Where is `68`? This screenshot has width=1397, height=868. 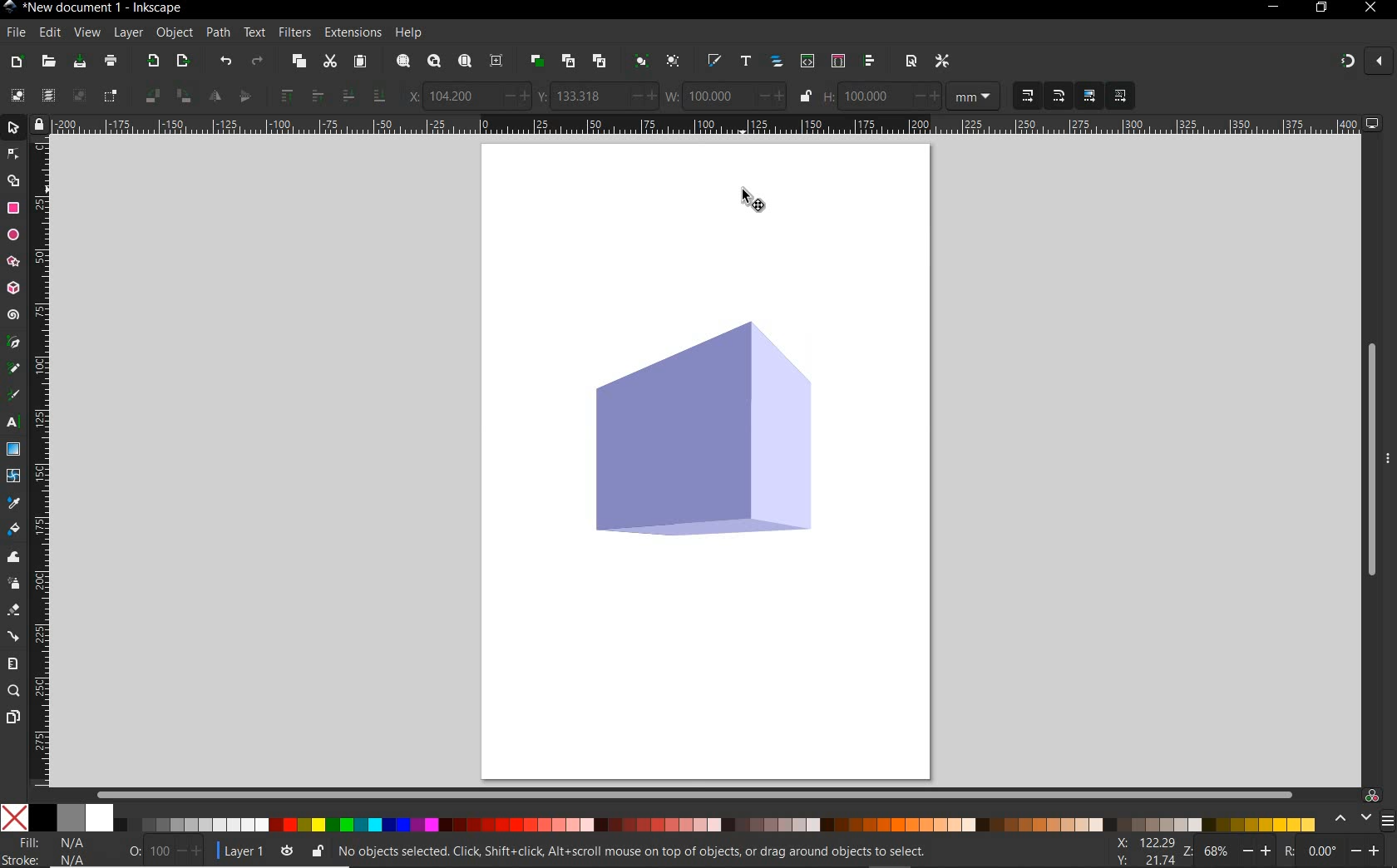
68 is located at coordinates (1218, 853).